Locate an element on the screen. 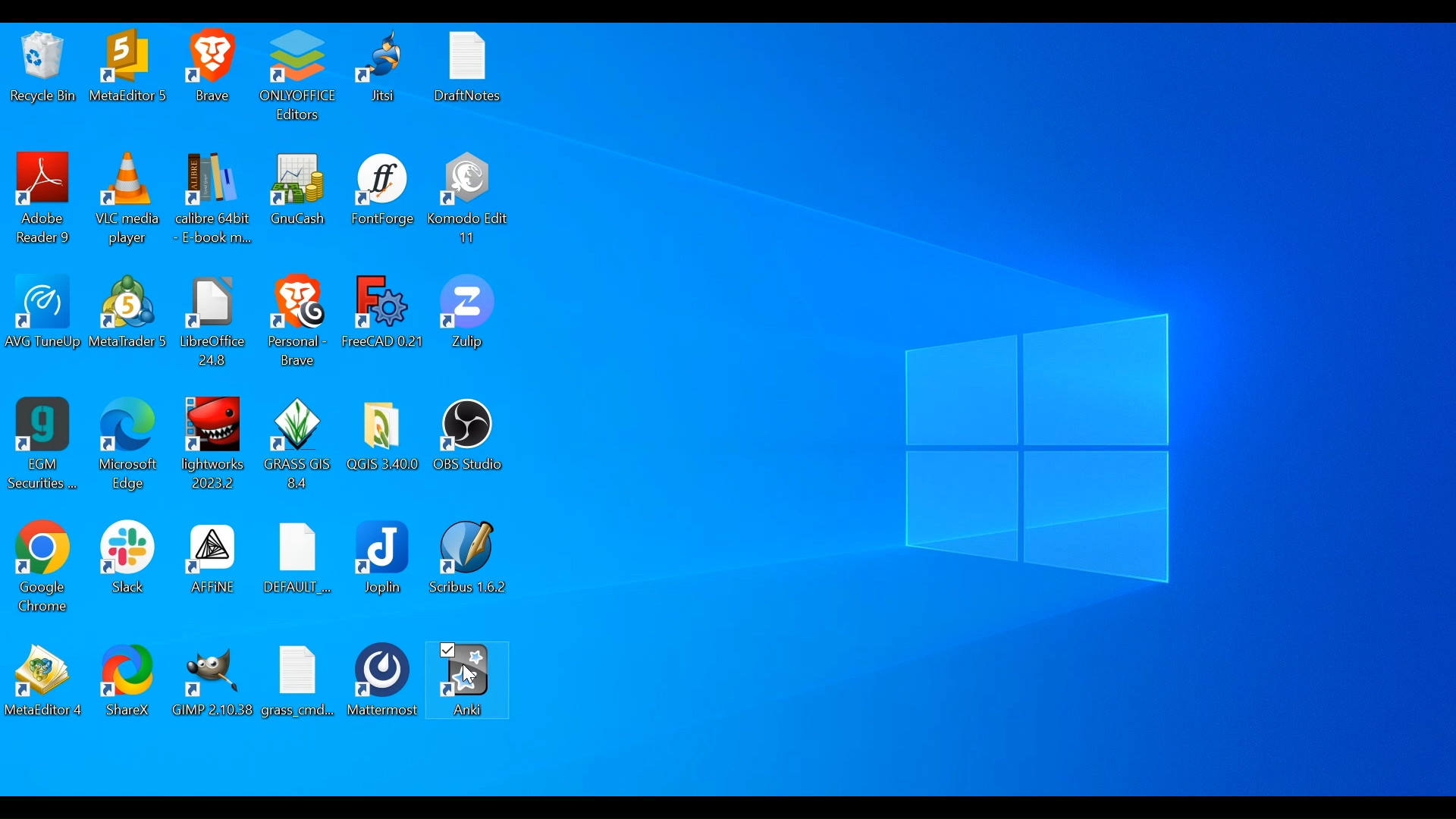  Meta Desktop icon is located at coordinates (130, 312).